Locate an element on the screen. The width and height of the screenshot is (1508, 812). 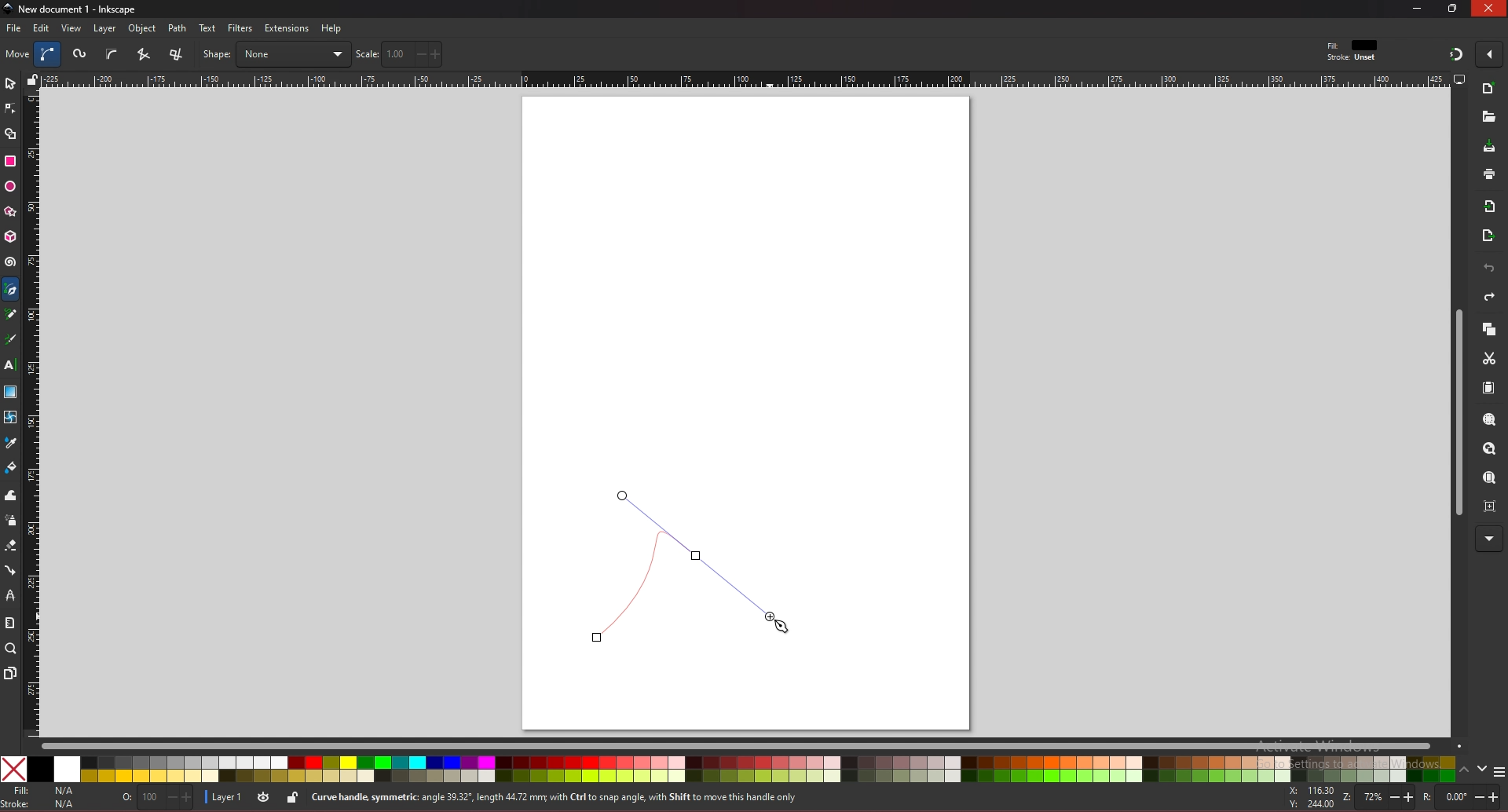
save is located at coordinates (1490, 148).